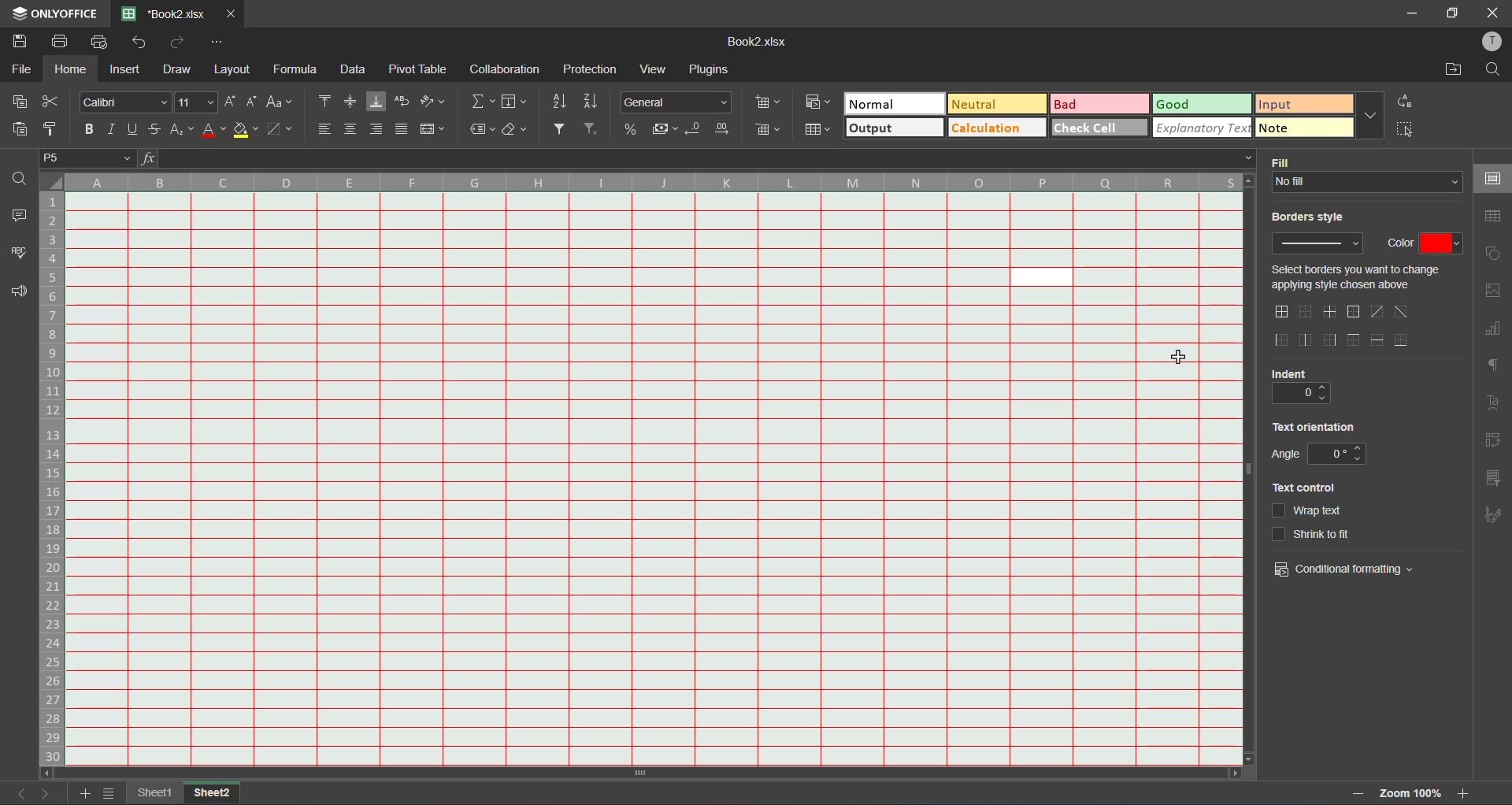  What do you see at coordinates (893, 102) in the screenshot?
I see `normal` at bounding box center [893, 102].